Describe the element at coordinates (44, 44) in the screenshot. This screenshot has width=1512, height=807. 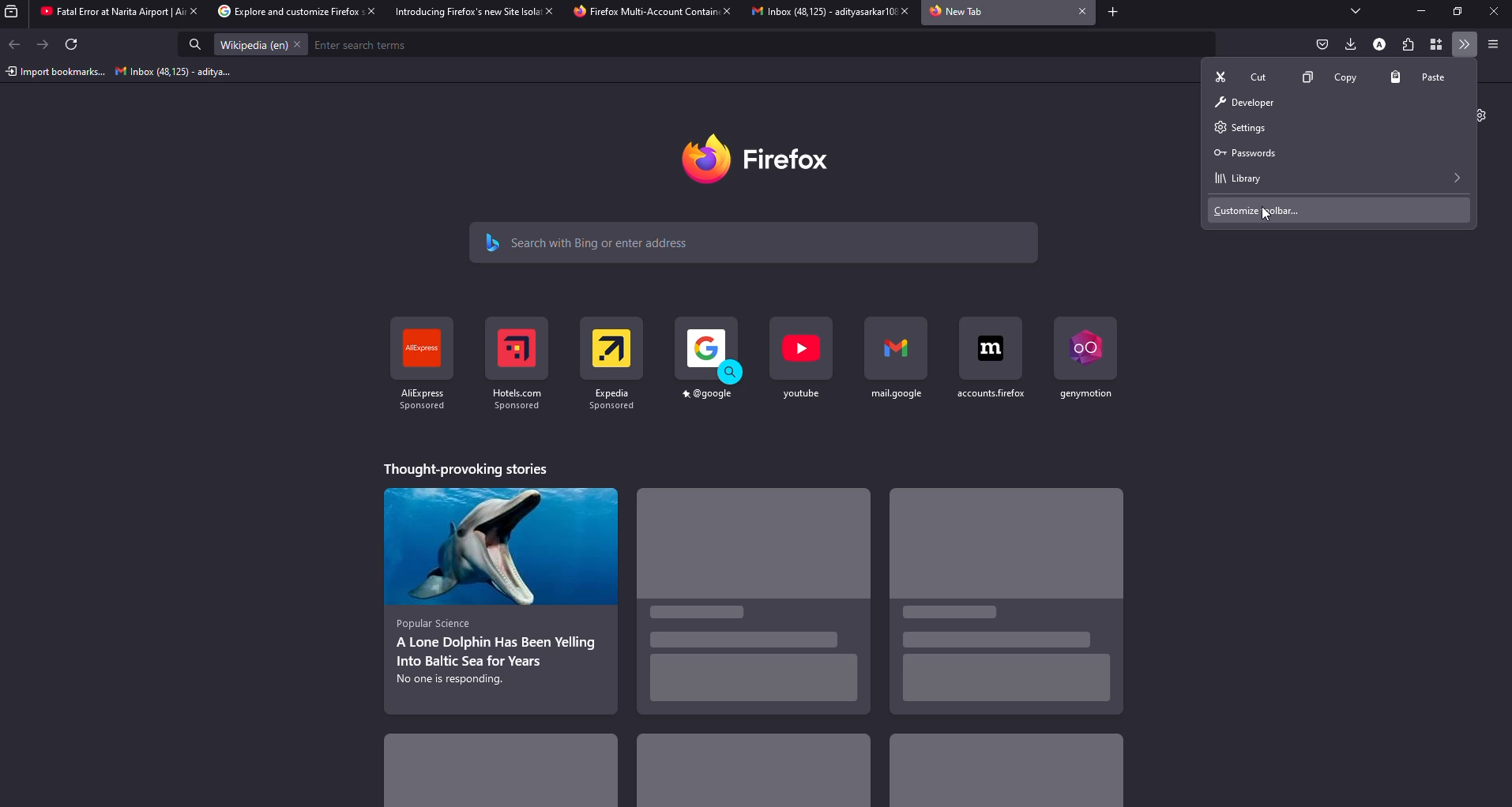
I see `forward` at that location.